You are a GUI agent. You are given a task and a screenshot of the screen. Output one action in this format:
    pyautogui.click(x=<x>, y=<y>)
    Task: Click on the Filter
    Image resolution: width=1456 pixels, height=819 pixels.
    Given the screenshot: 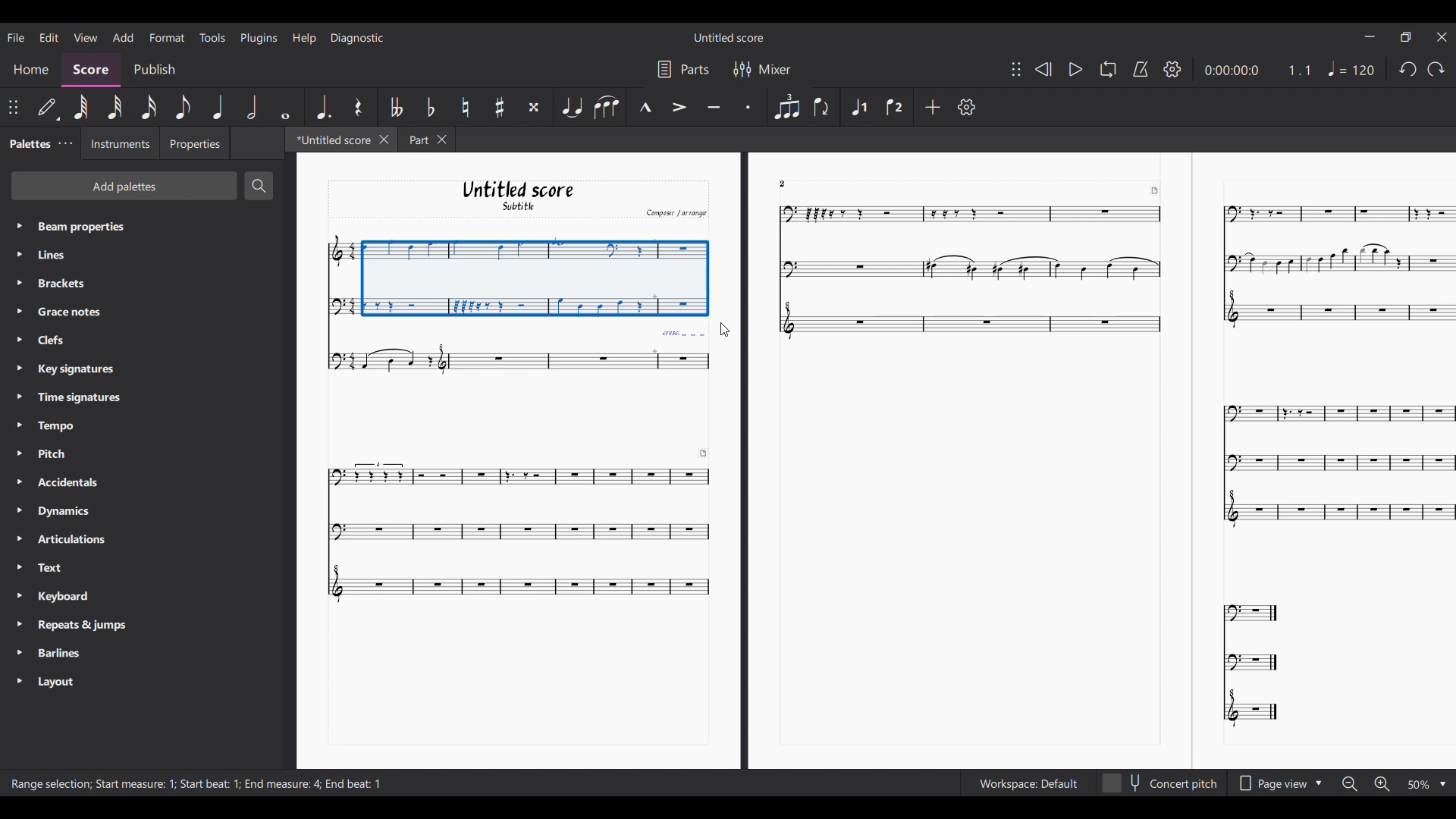 What is the action you would take?
    pyautogui.click(x=740, y=69)
    